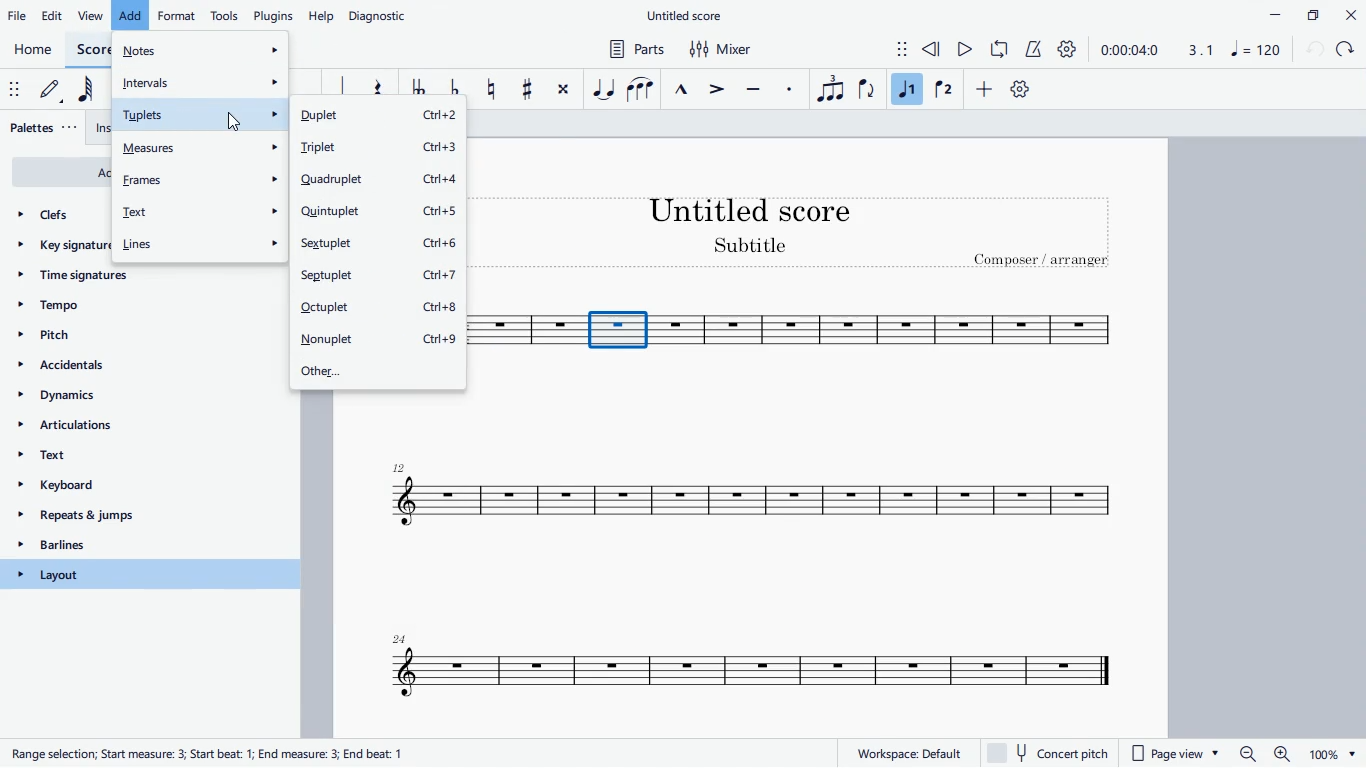 The height and width of the screenshot is (768, 1366). I want to click on quadruplet, so click(381, 180).